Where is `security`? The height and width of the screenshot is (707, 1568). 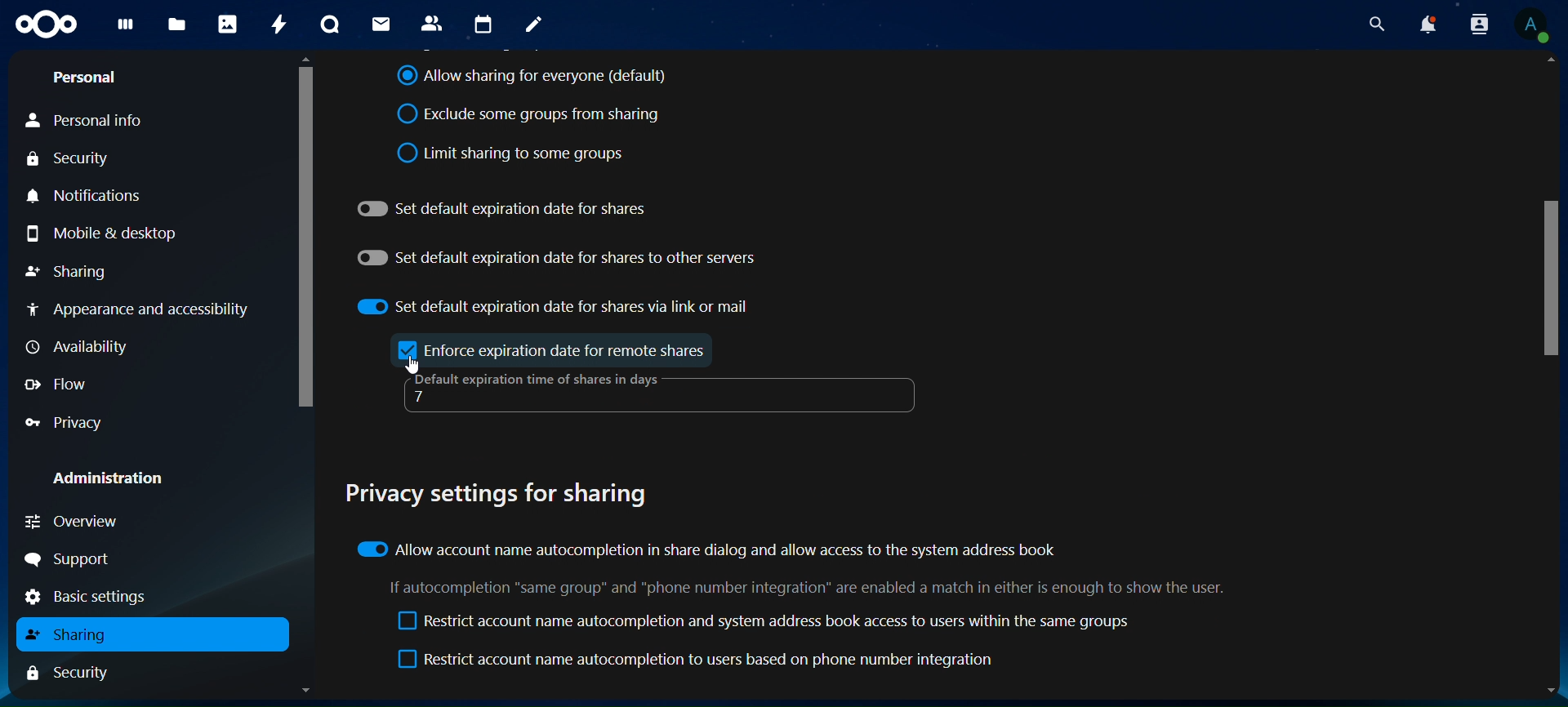
security is located at coordinates (70, 158).